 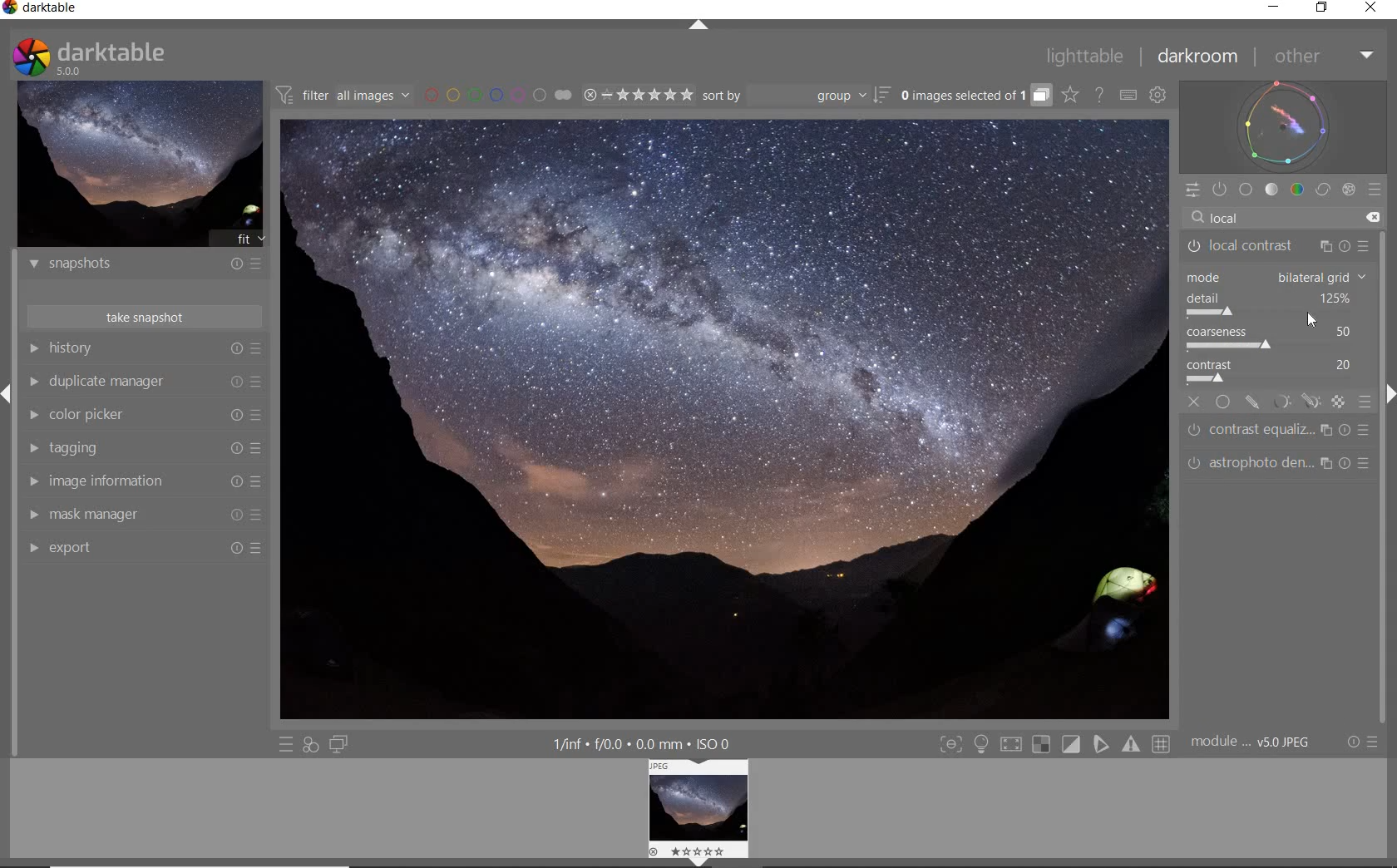 What do you see at coordinates (1135, 745) in the screenshot?
I see `toggle gamut checking` at bounding box center [1135, 745].